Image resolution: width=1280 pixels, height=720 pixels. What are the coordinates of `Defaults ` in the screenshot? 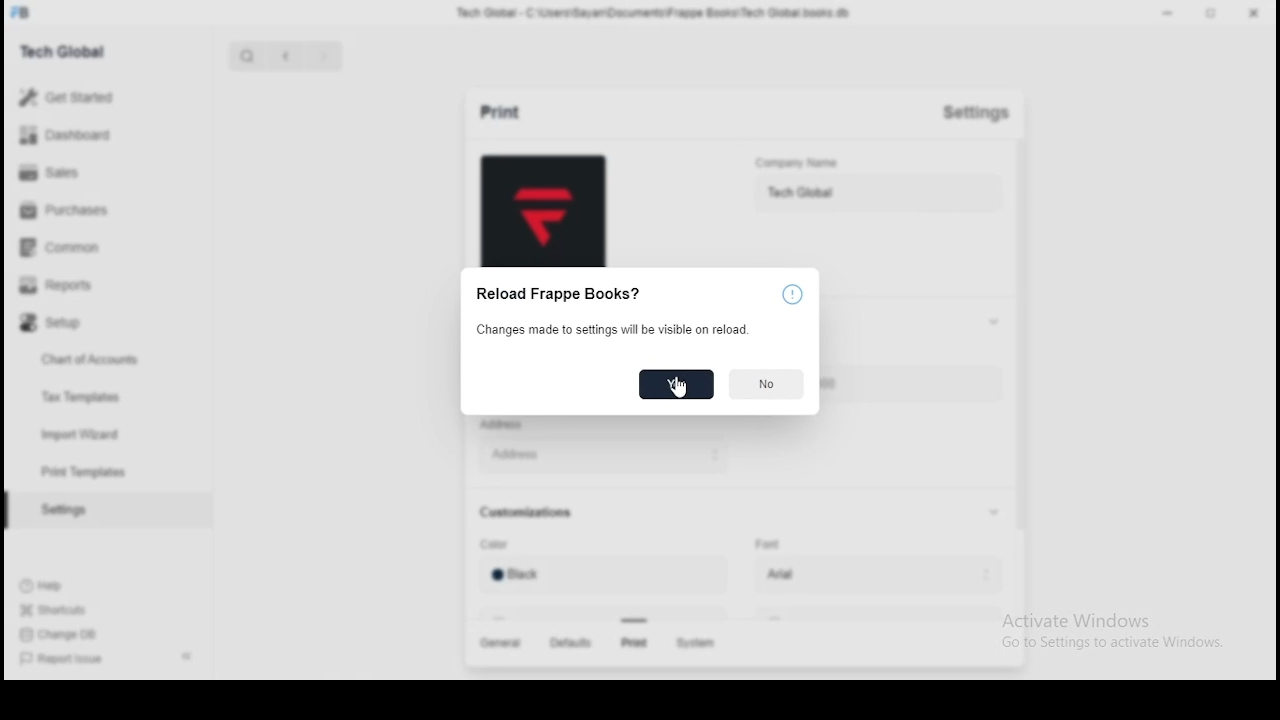 It's located at (569, 645).